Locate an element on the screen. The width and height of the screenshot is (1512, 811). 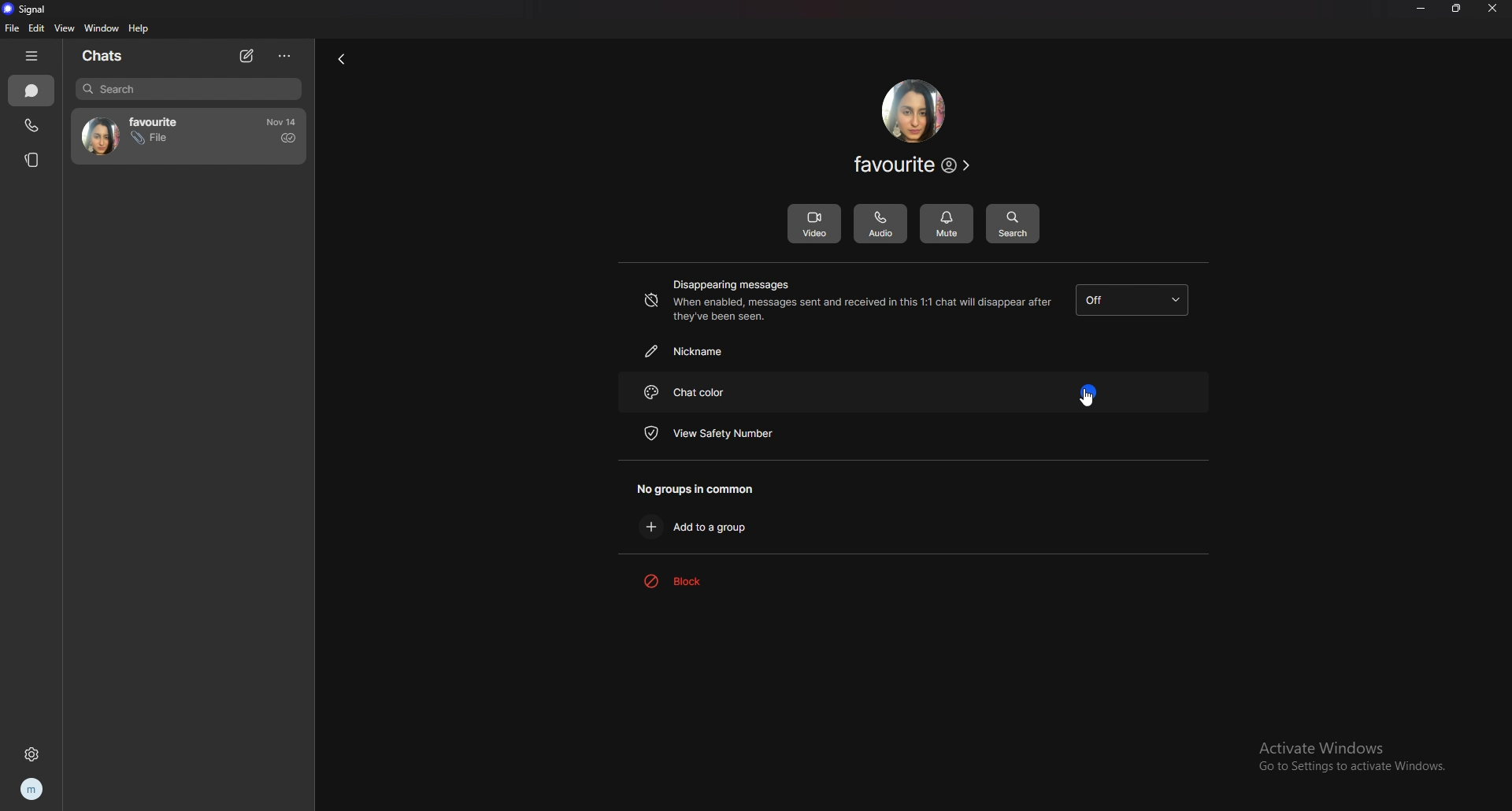
contact photo is located at coordinates (915, 111).